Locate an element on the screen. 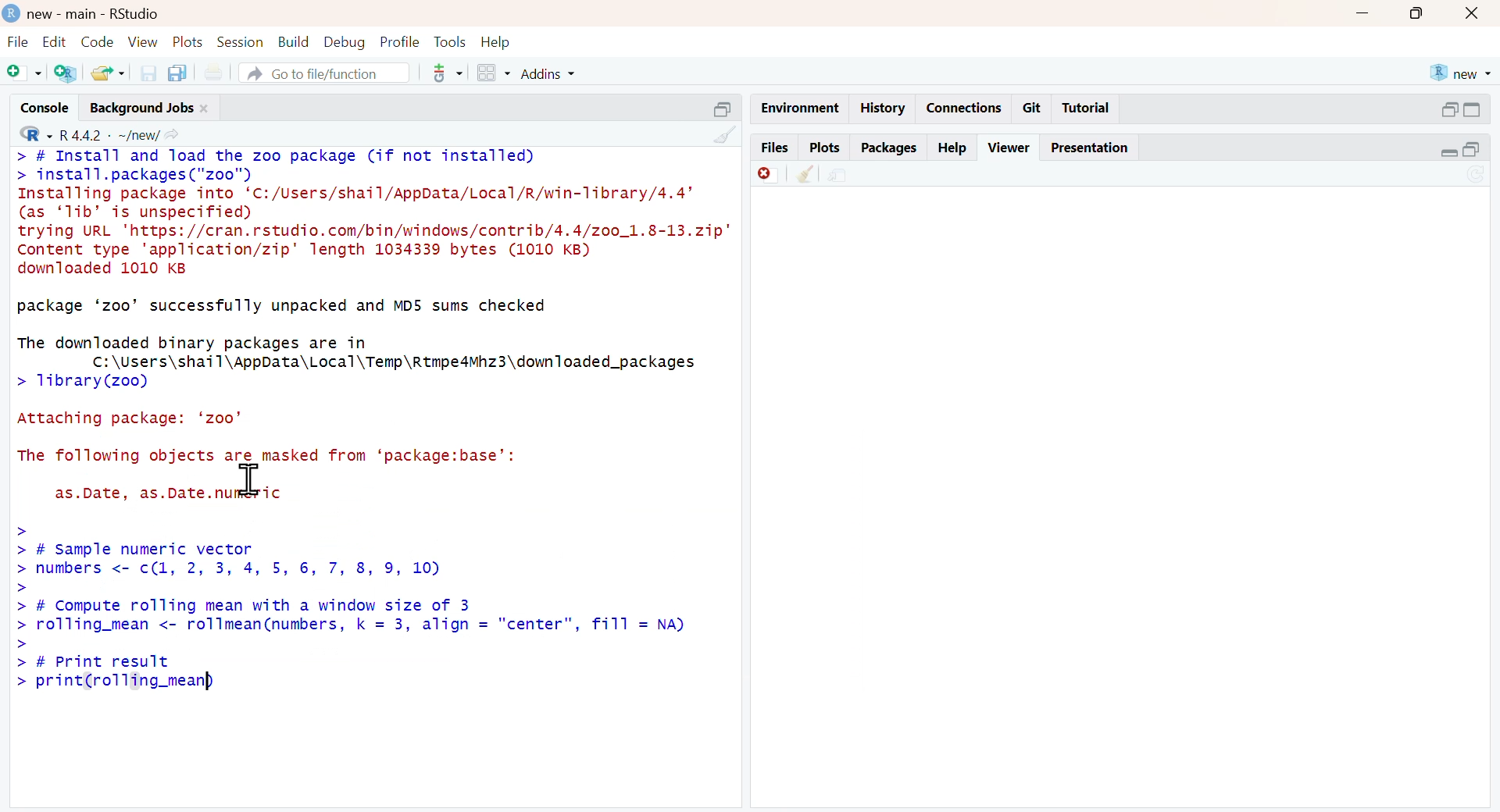  tools is located at coordinates (452, 44).